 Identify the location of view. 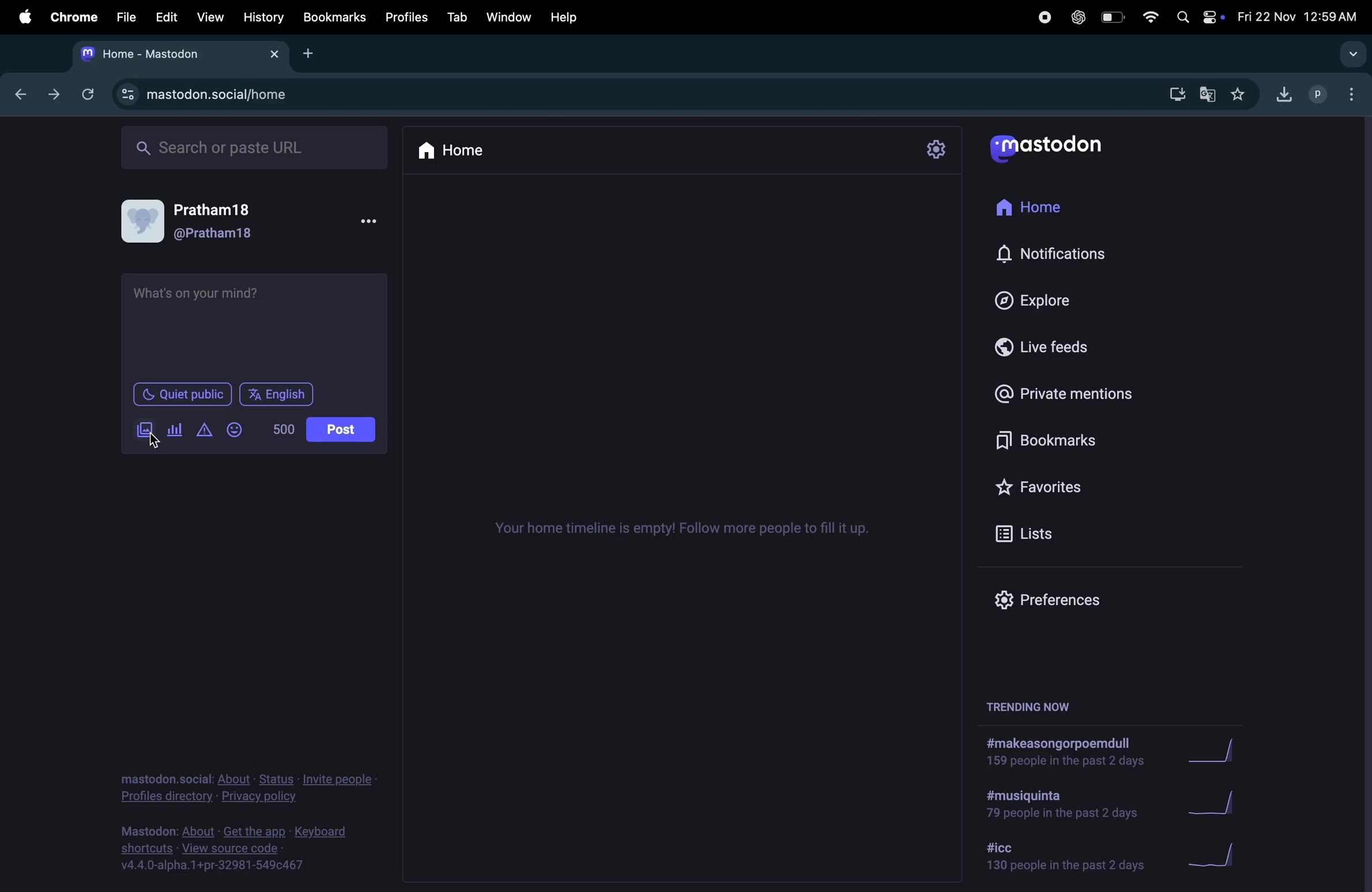
(210, 17).